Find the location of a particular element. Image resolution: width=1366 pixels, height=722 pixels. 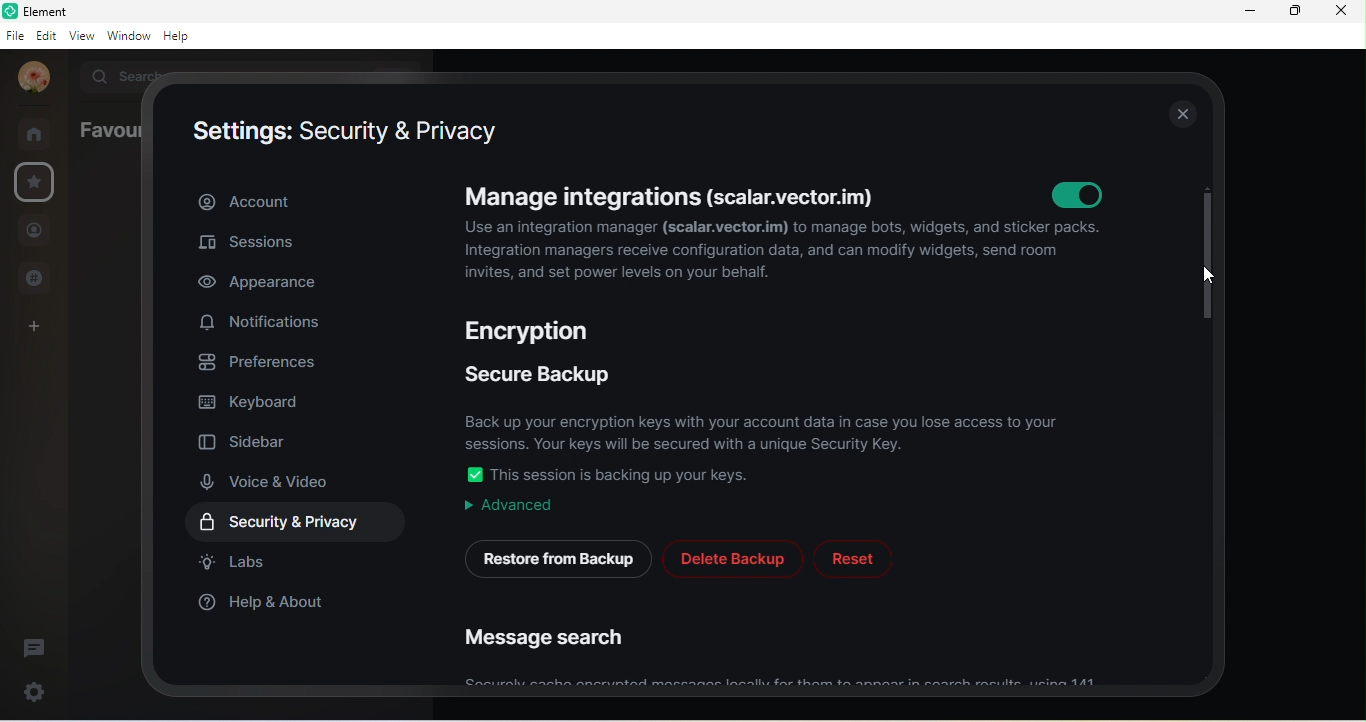

this session is backing up your keys is located at coordinates (630, 474).